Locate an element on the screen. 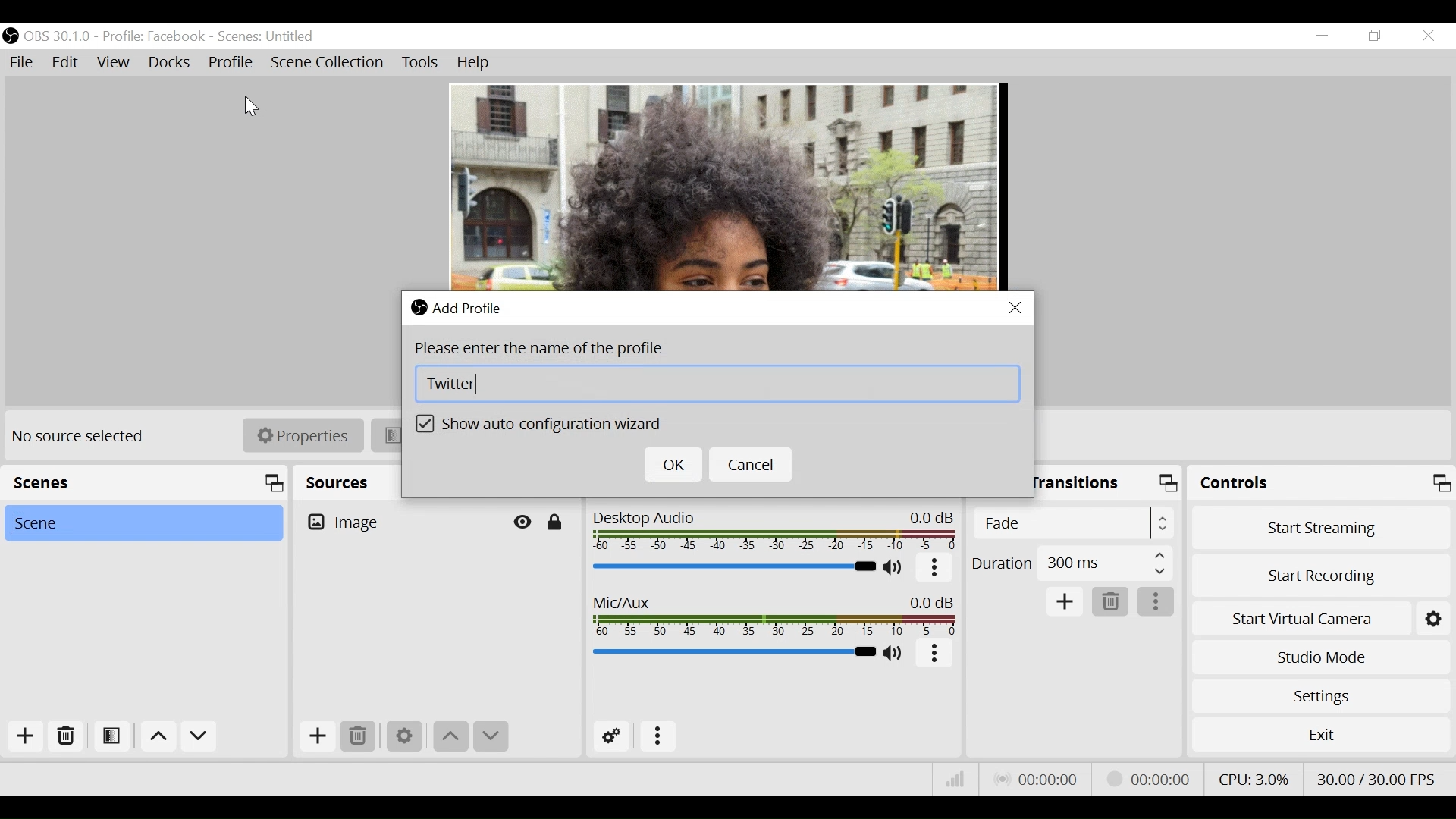  Image is located at coordinates (400, 521).